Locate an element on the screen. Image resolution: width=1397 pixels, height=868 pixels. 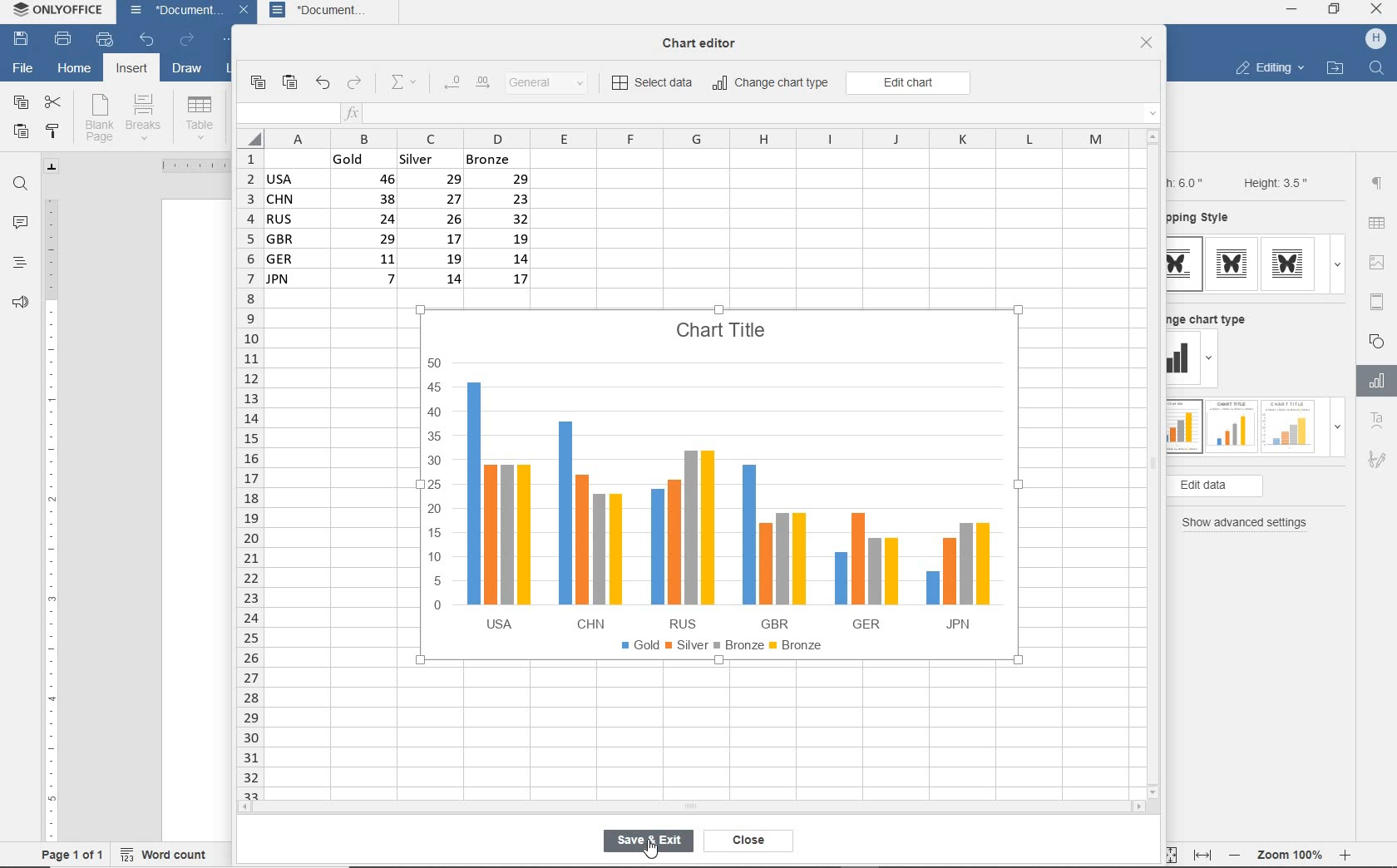
input field is located at coordinates (286, 114).